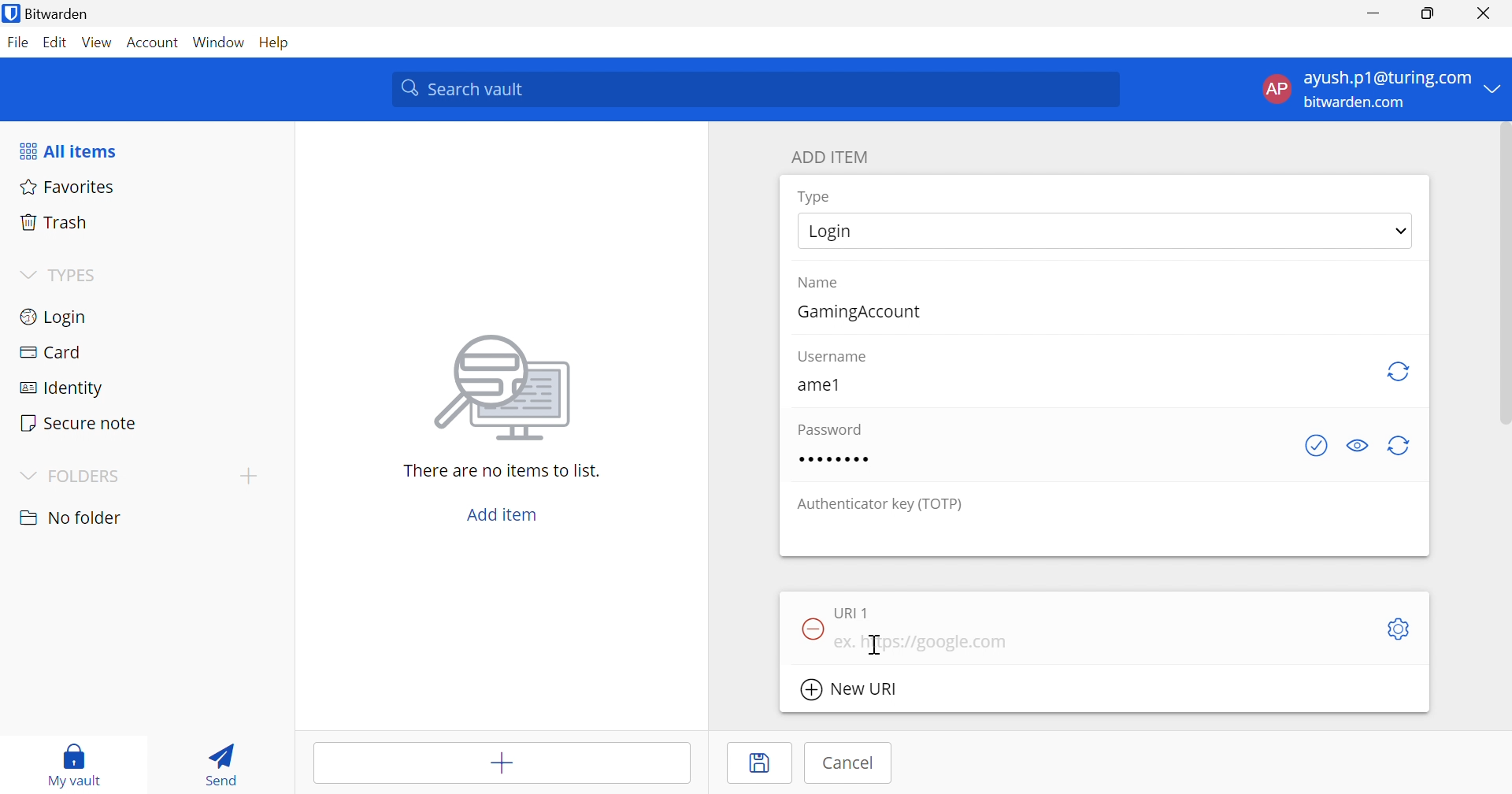 The image size is (1512, 794). Describe the element at coordinates (506, 387) in the screenshot. I see `Image` at that location.